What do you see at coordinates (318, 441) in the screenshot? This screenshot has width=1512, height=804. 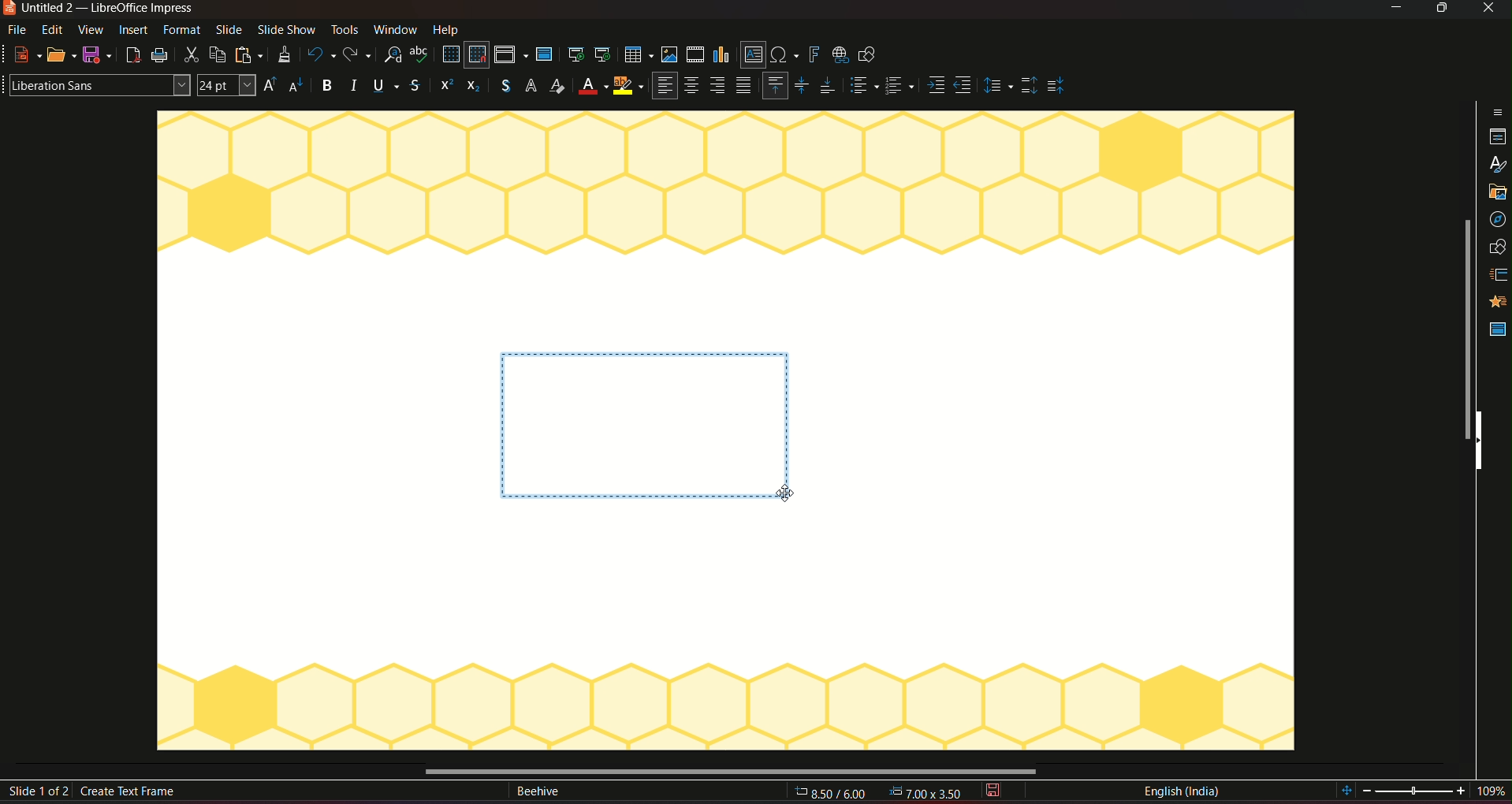 I see `workspace` at bounding box center [318, 441].